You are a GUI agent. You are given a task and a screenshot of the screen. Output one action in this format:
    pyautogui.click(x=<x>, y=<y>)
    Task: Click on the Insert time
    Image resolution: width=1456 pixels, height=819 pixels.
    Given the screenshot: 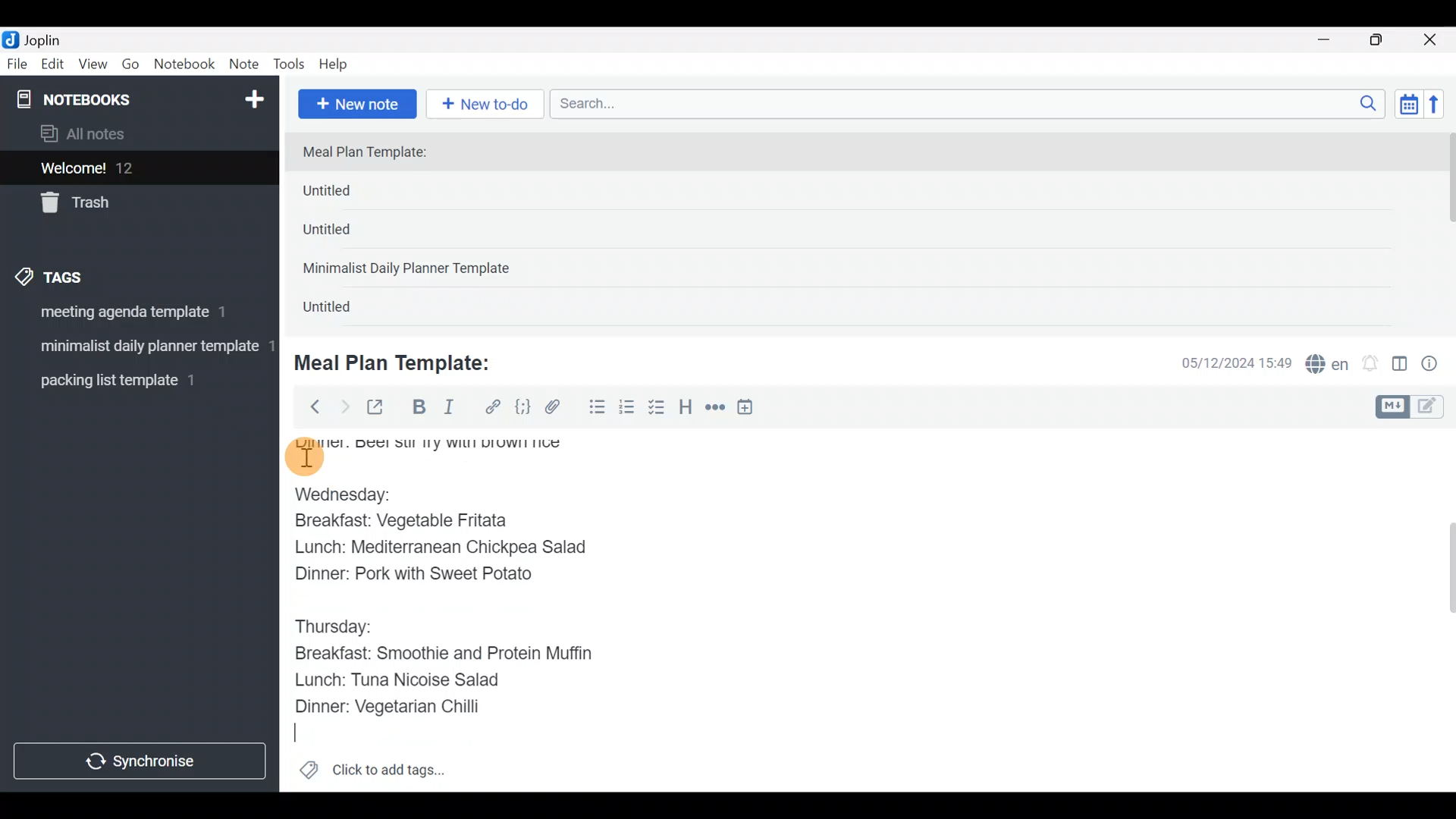 What is the action you would take?
    pyautogui.click(x=752, y=409)
    